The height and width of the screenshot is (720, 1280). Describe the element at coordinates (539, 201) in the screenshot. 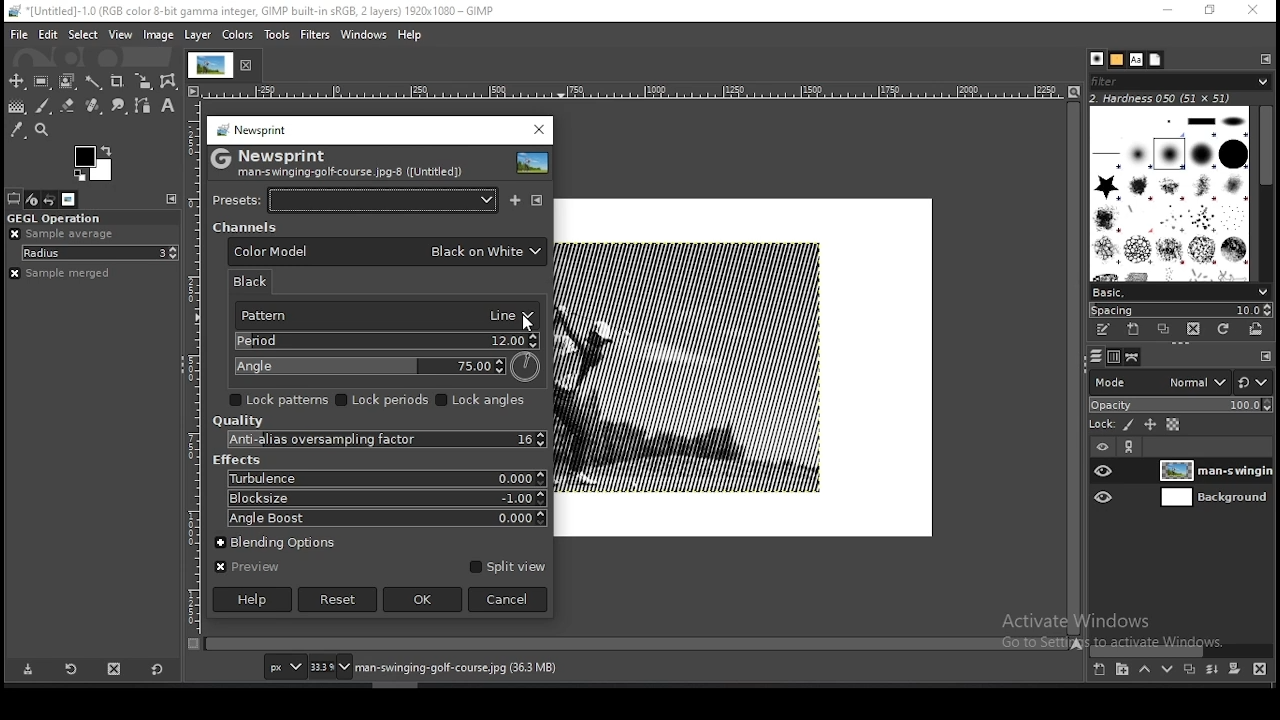

I see `manage presets` at that location.